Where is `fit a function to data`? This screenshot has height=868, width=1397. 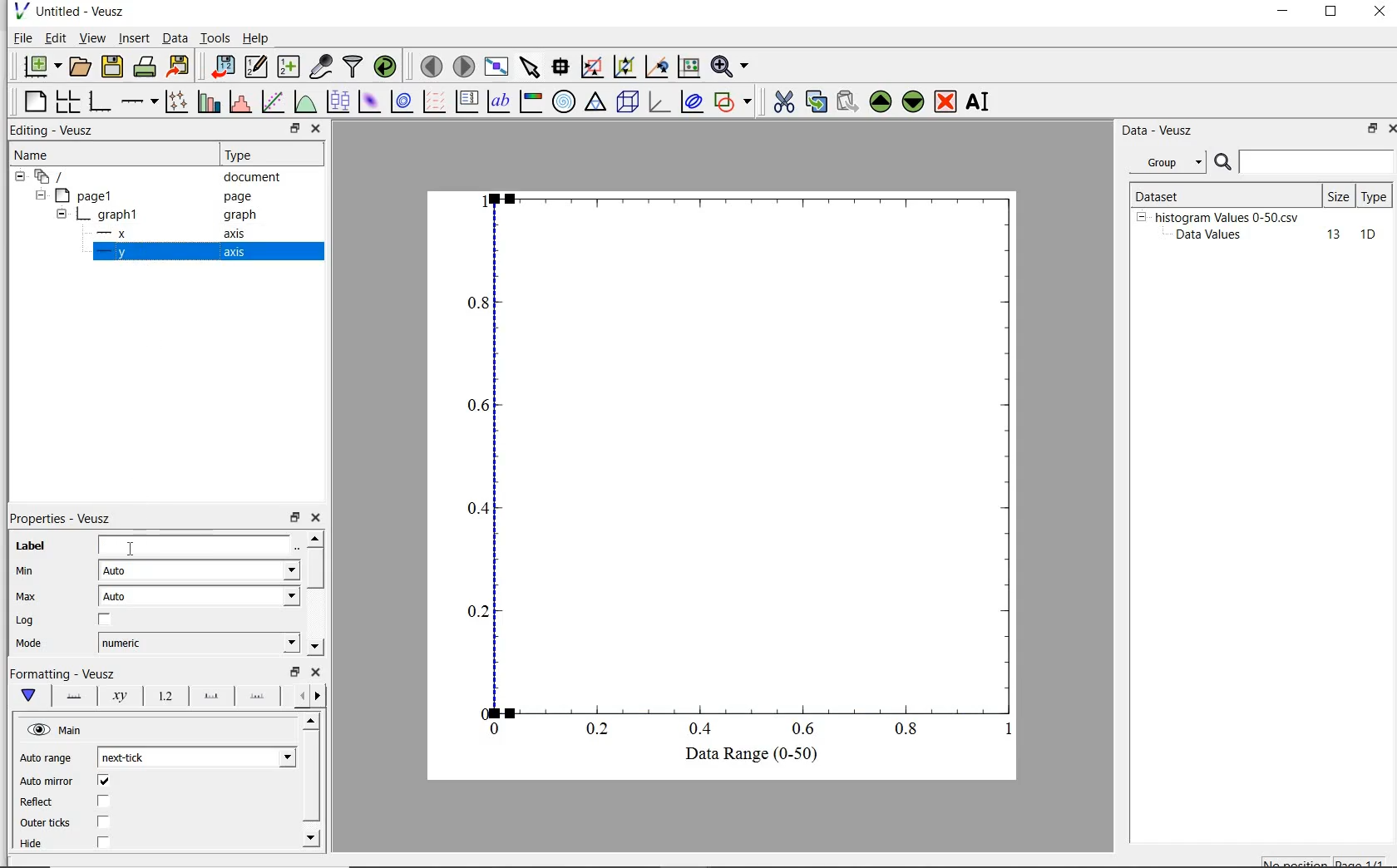 fit a function to data is located at coordinates (274, 101).